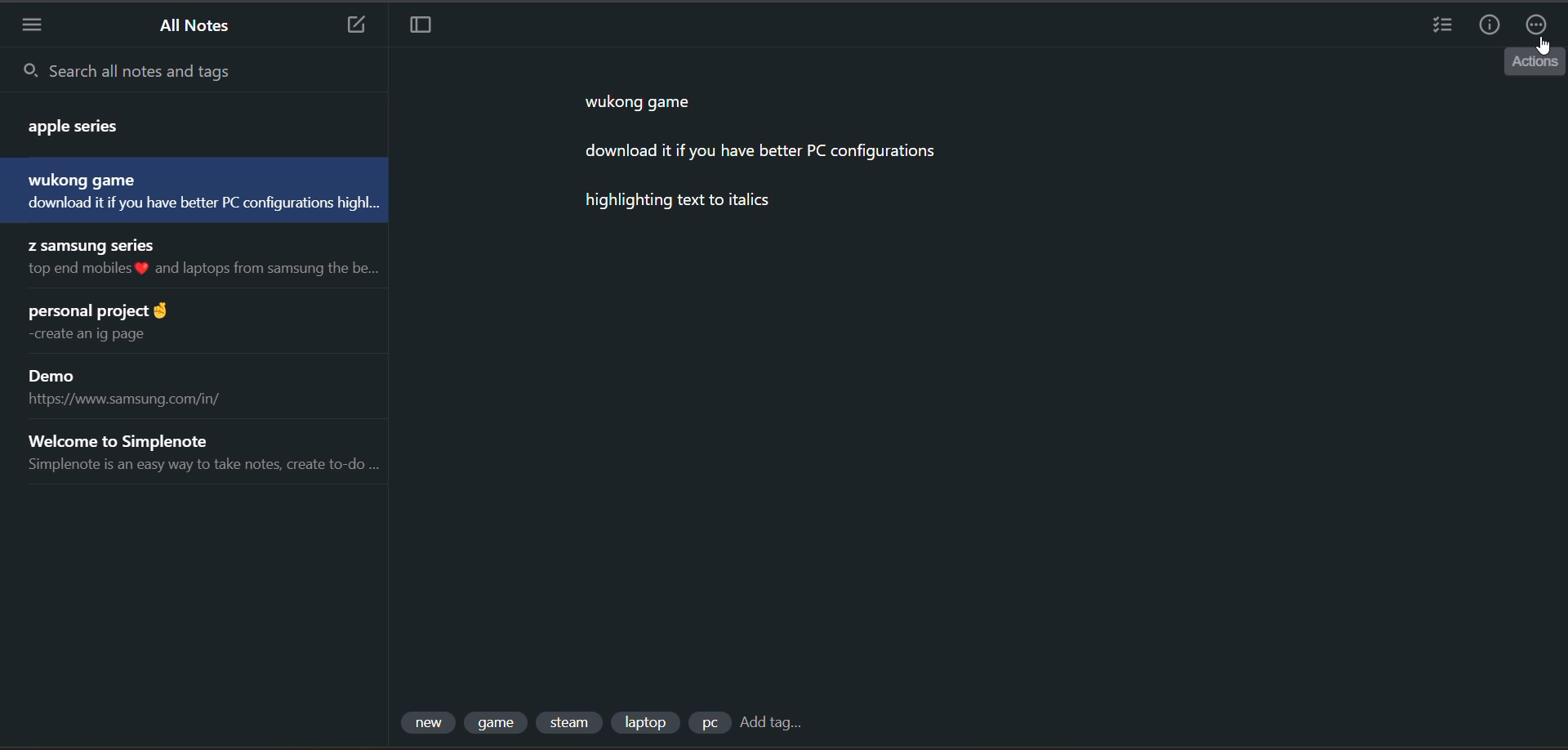  What do you see at coordinates (1489, 26) in the screenshot?
I see `info` at bounding box center [1489, 26].